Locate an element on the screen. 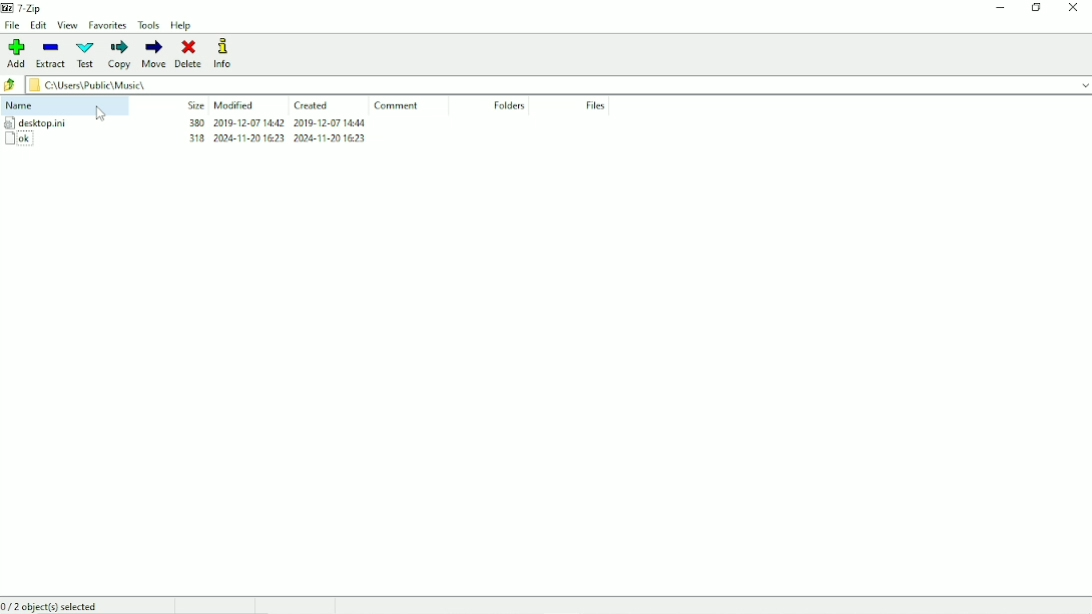 This screenshot has height=614, width=1092. Move is located at coordinates (154, 54).